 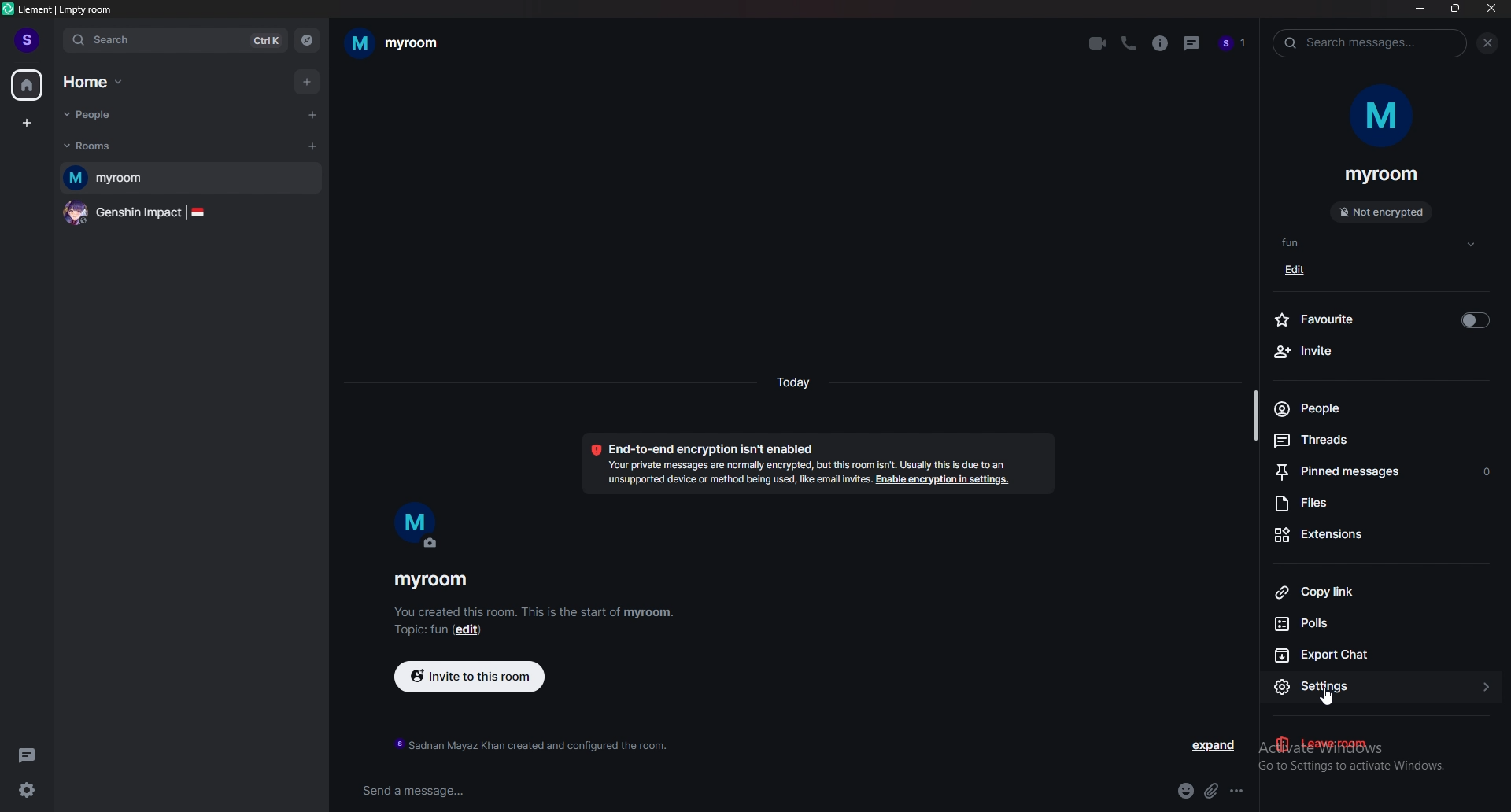 What do you see at coordinates (794, 387) in the screenshot?
I see `today` at bounding box center [794, 387].